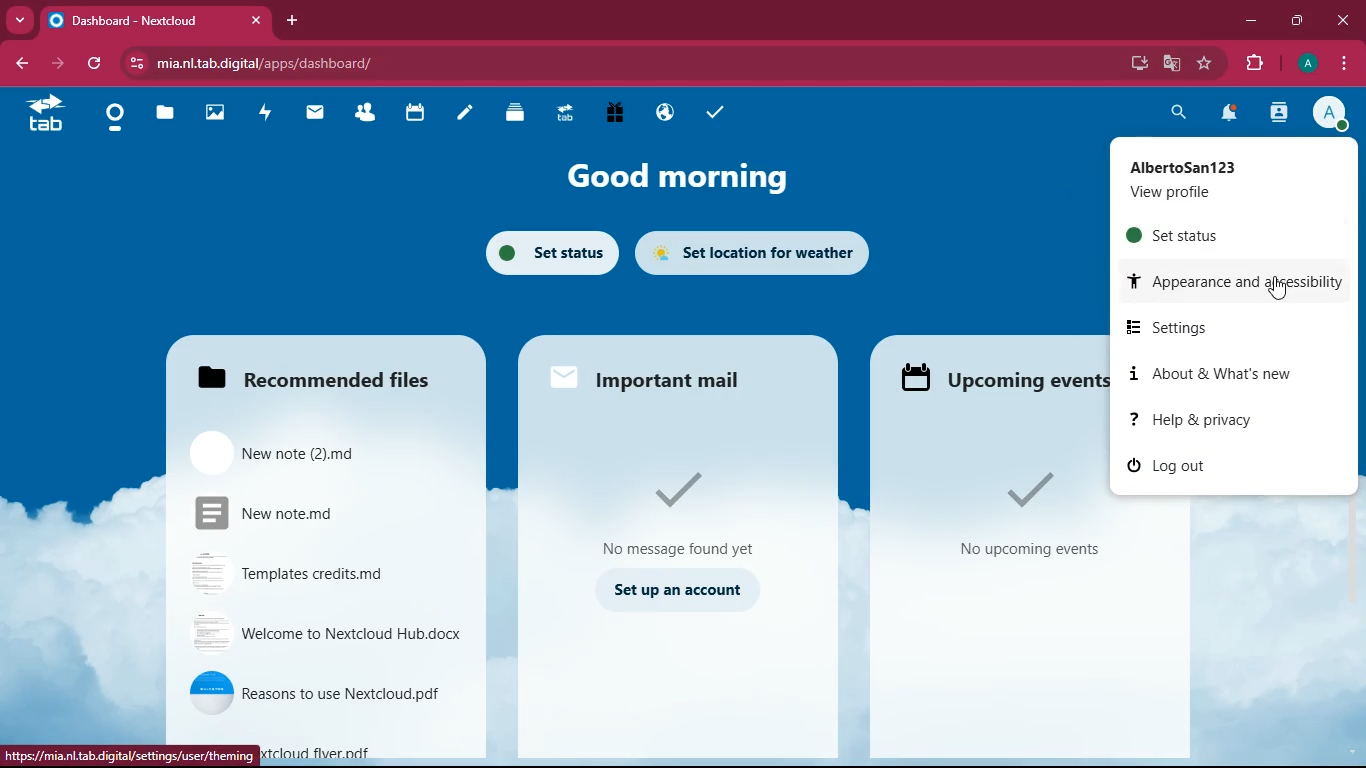 The image size is (1366, 768). I want to click on add tab, so click(292, 21).